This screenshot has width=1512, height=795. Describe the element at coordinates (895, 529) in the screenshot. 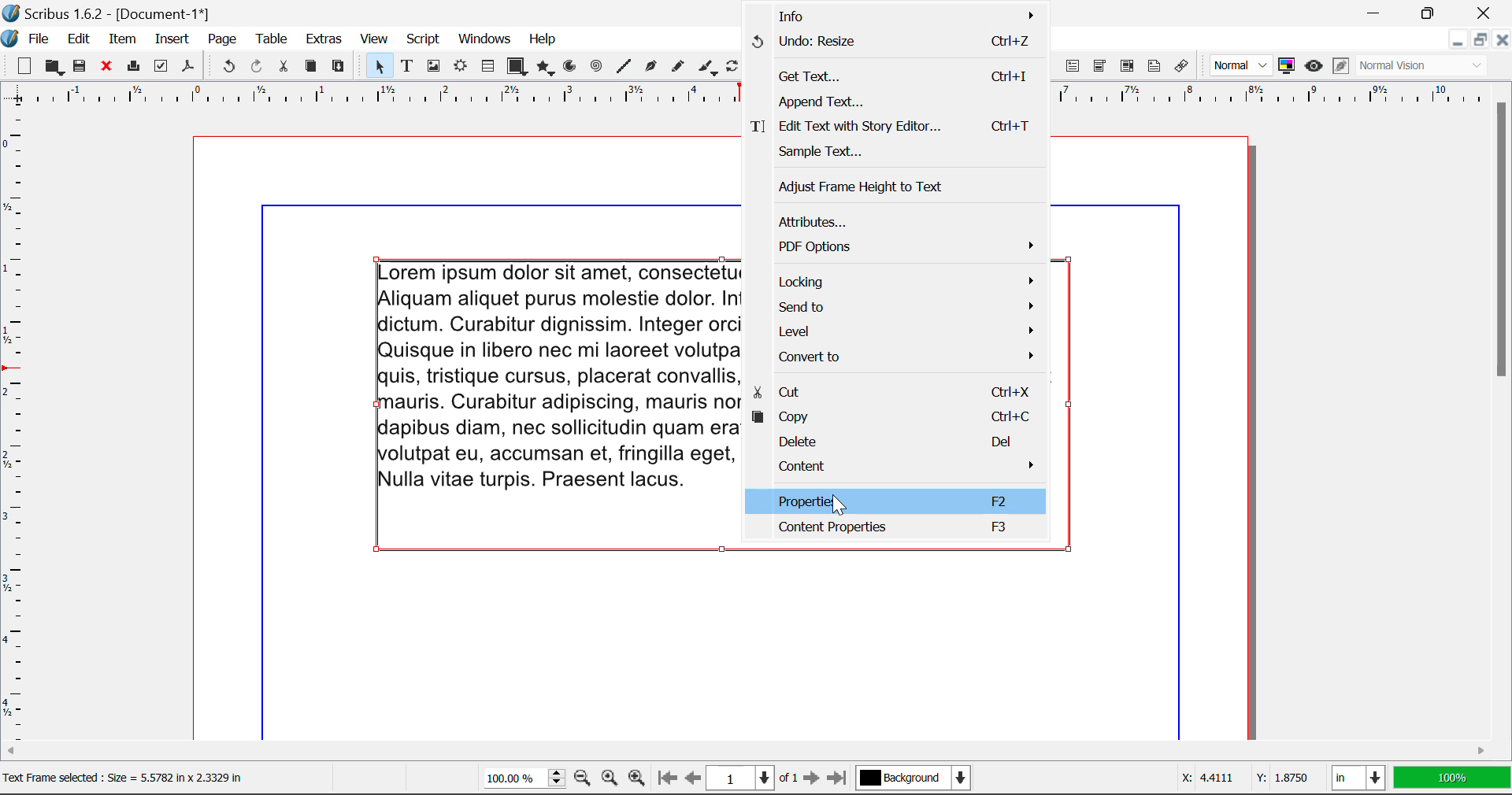

I see `Content Properties` at that location.